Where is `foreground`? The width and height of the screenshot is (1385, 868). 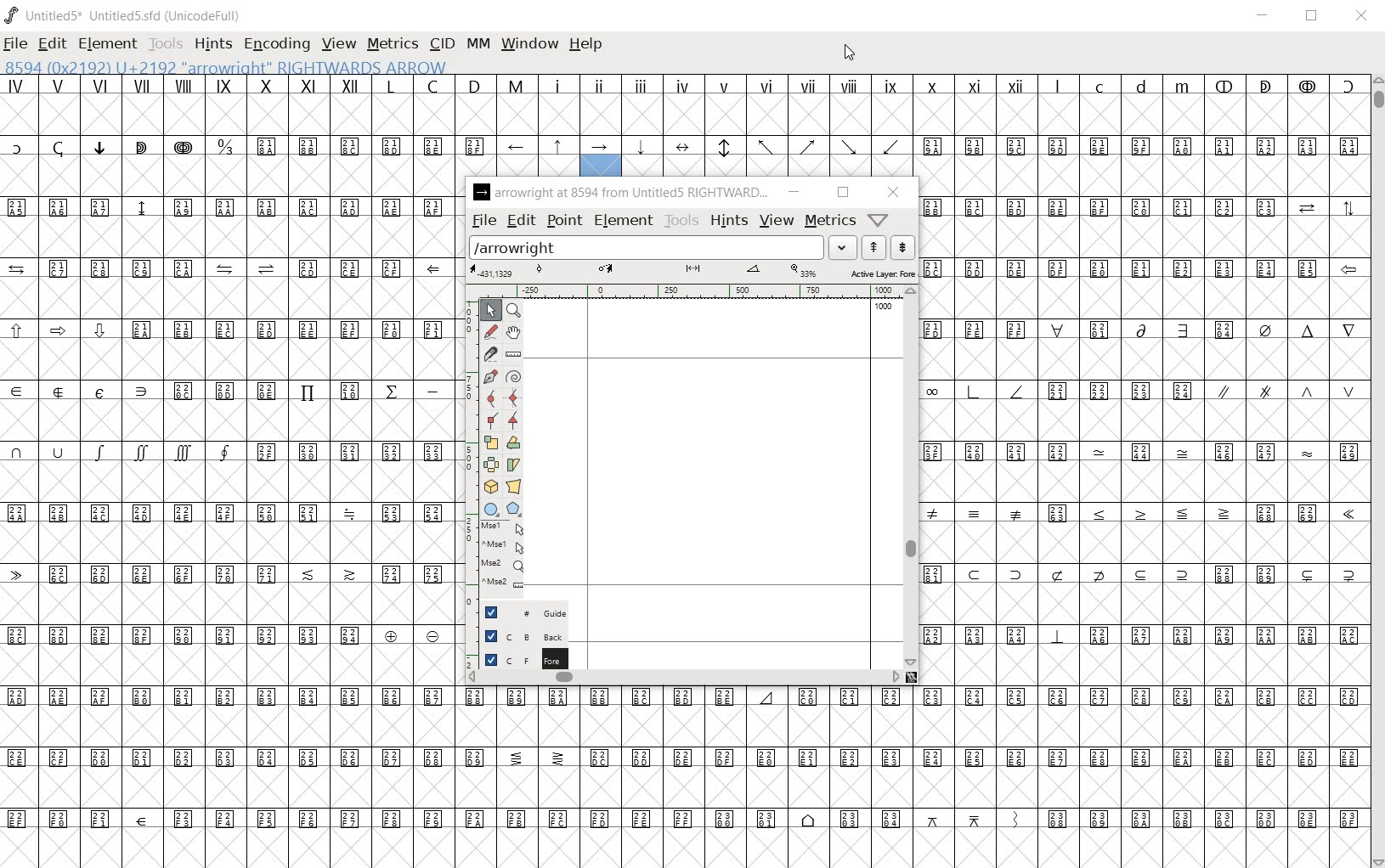 foreground is located at coordinates (518, 658).